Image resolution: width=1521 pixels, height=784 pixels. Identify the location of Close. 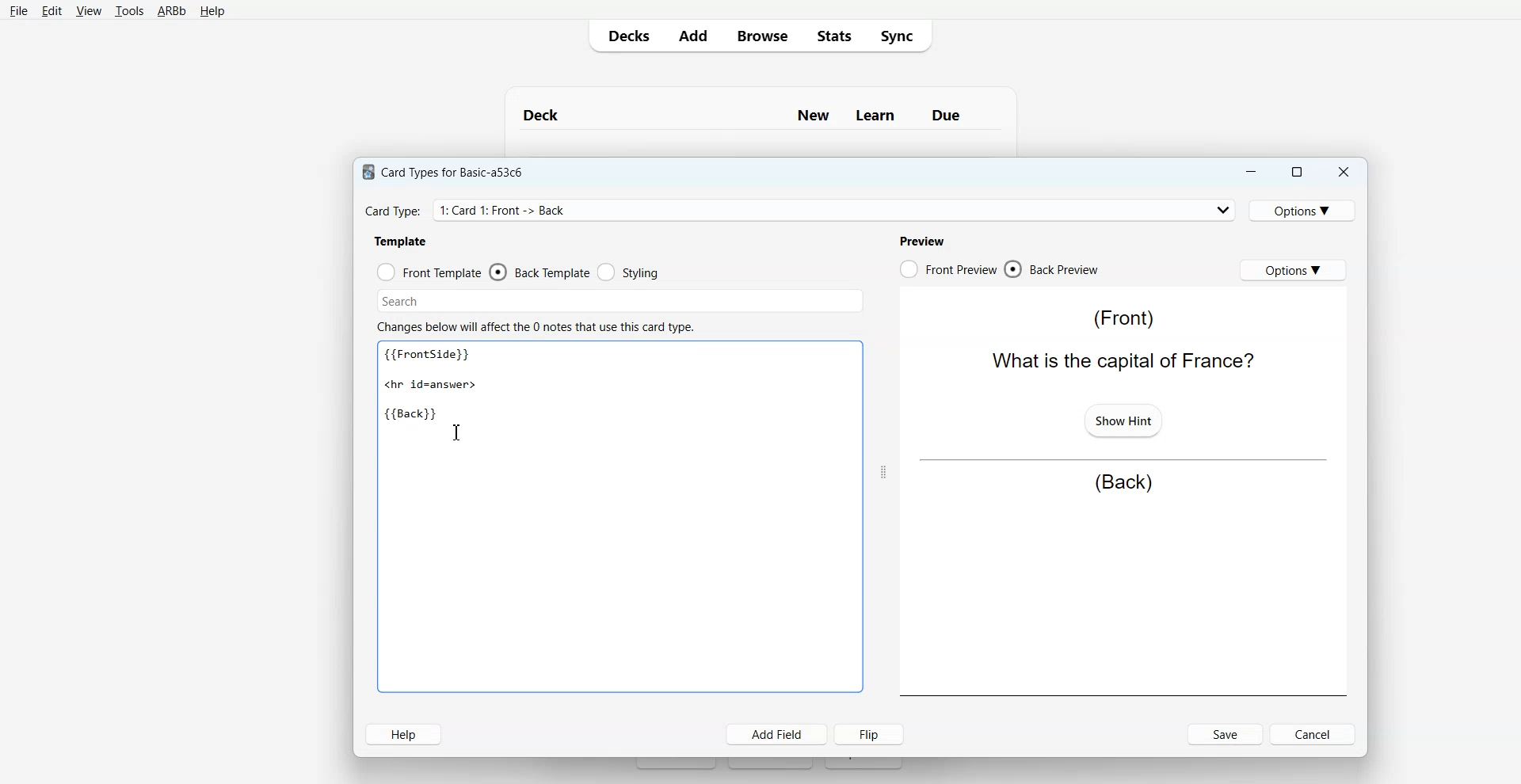
(1343, 173).